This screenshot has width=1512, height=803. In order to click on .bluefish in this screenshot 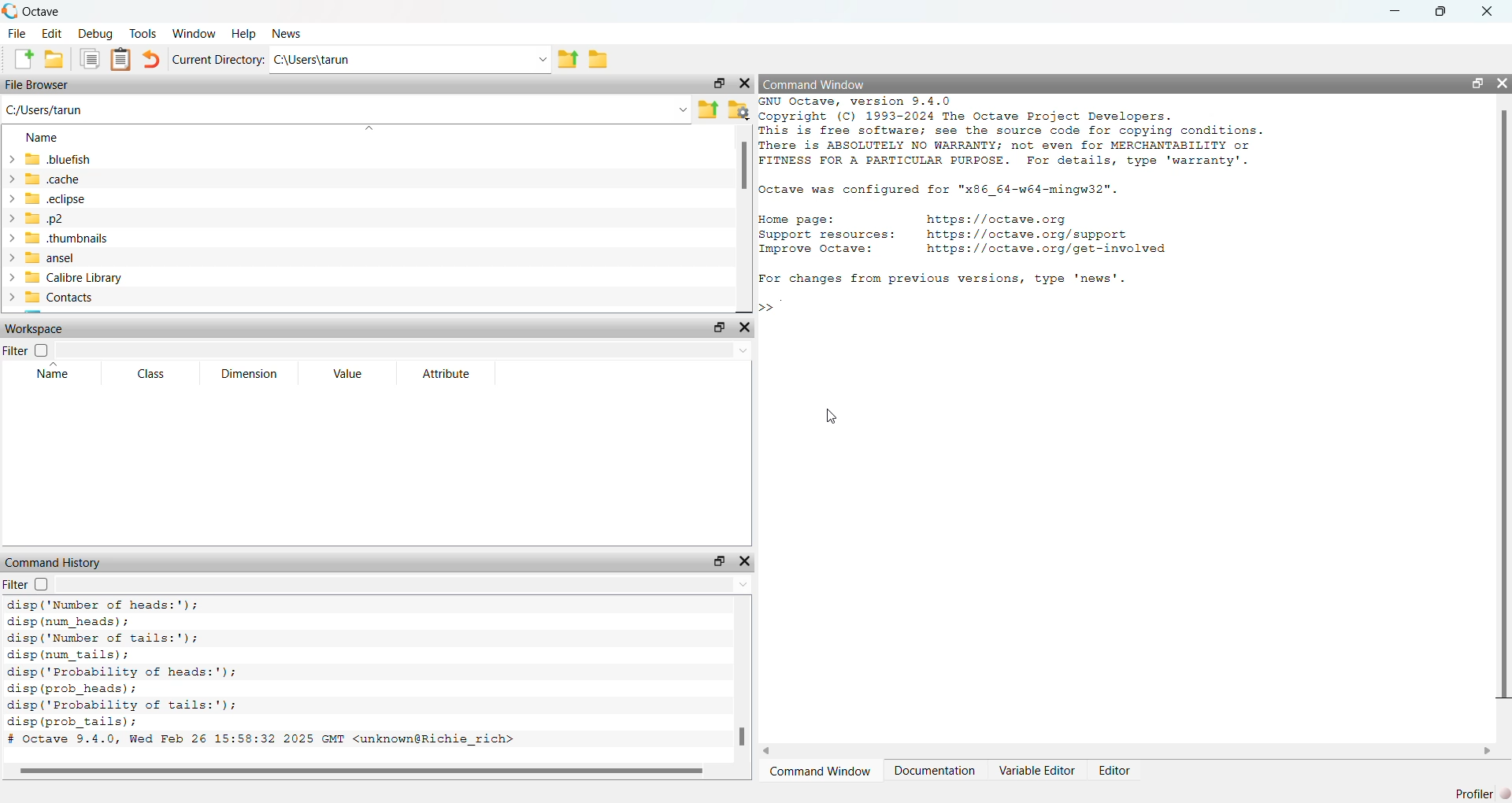, I will do `click(62, 158)`.